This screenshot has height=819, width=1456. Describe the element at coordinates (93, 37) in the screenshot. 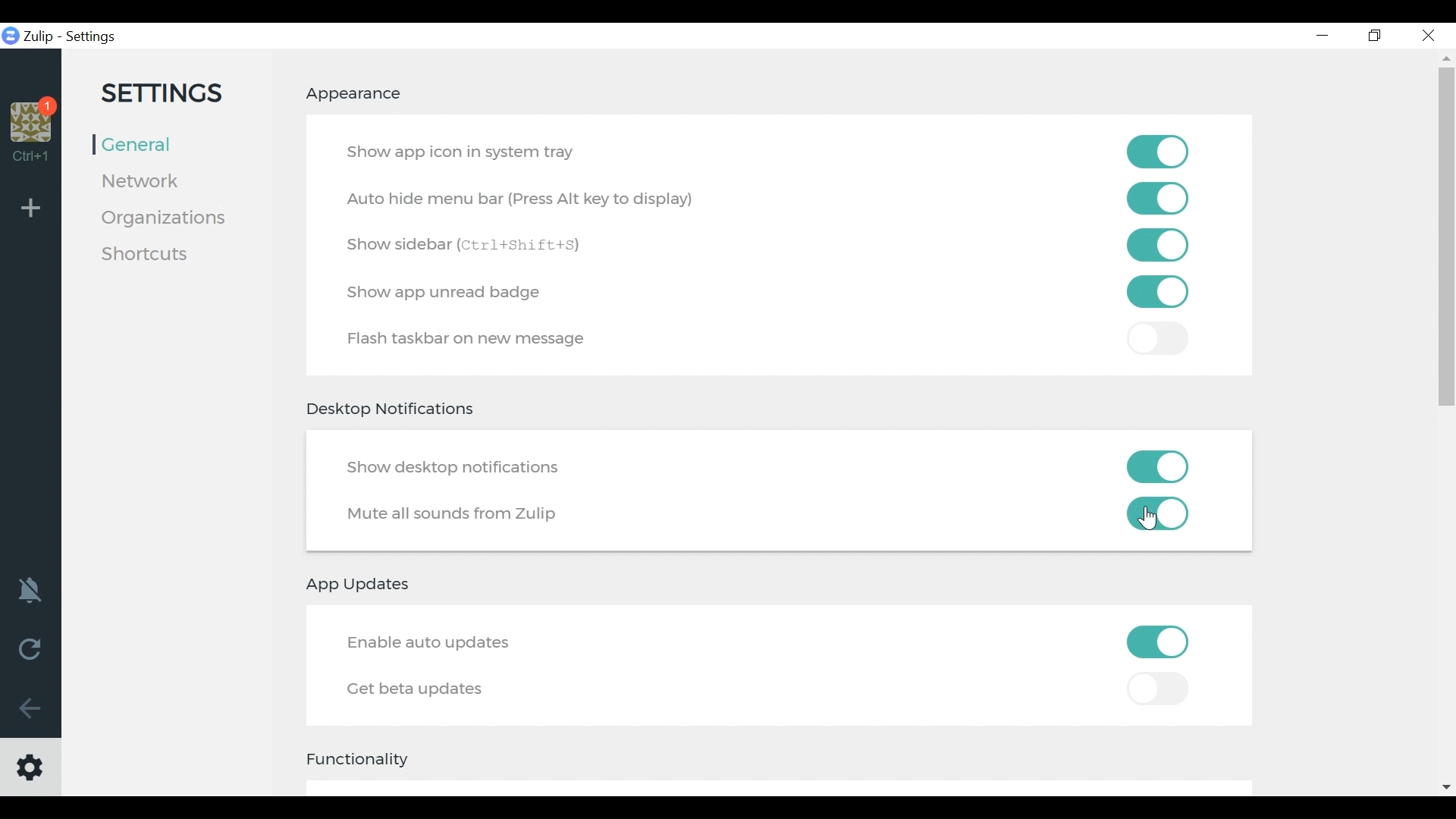

I see `Settings` at that location.